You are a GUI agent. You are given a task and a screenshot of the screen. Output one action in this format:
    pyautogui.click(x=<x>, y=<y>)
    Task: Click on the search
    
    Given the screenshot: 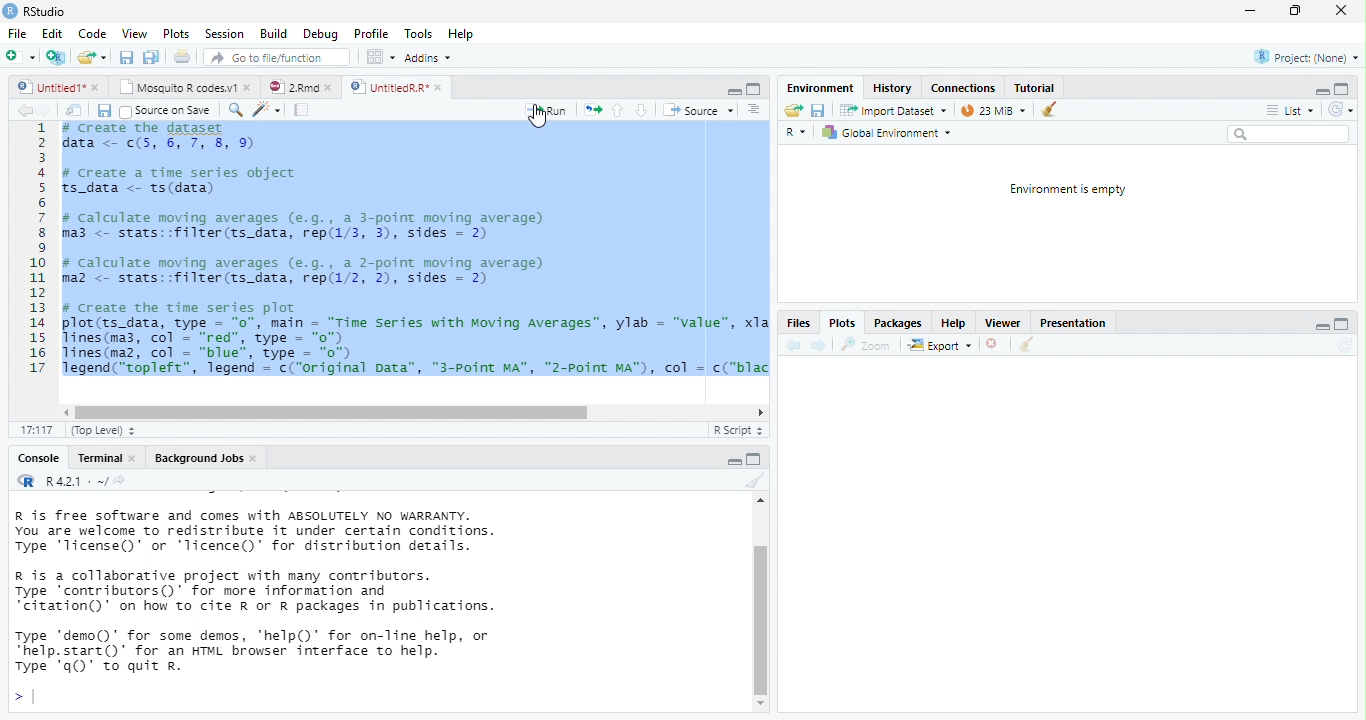 What is the action you would take?
    pyautogui.click(x=233, y=110)
    